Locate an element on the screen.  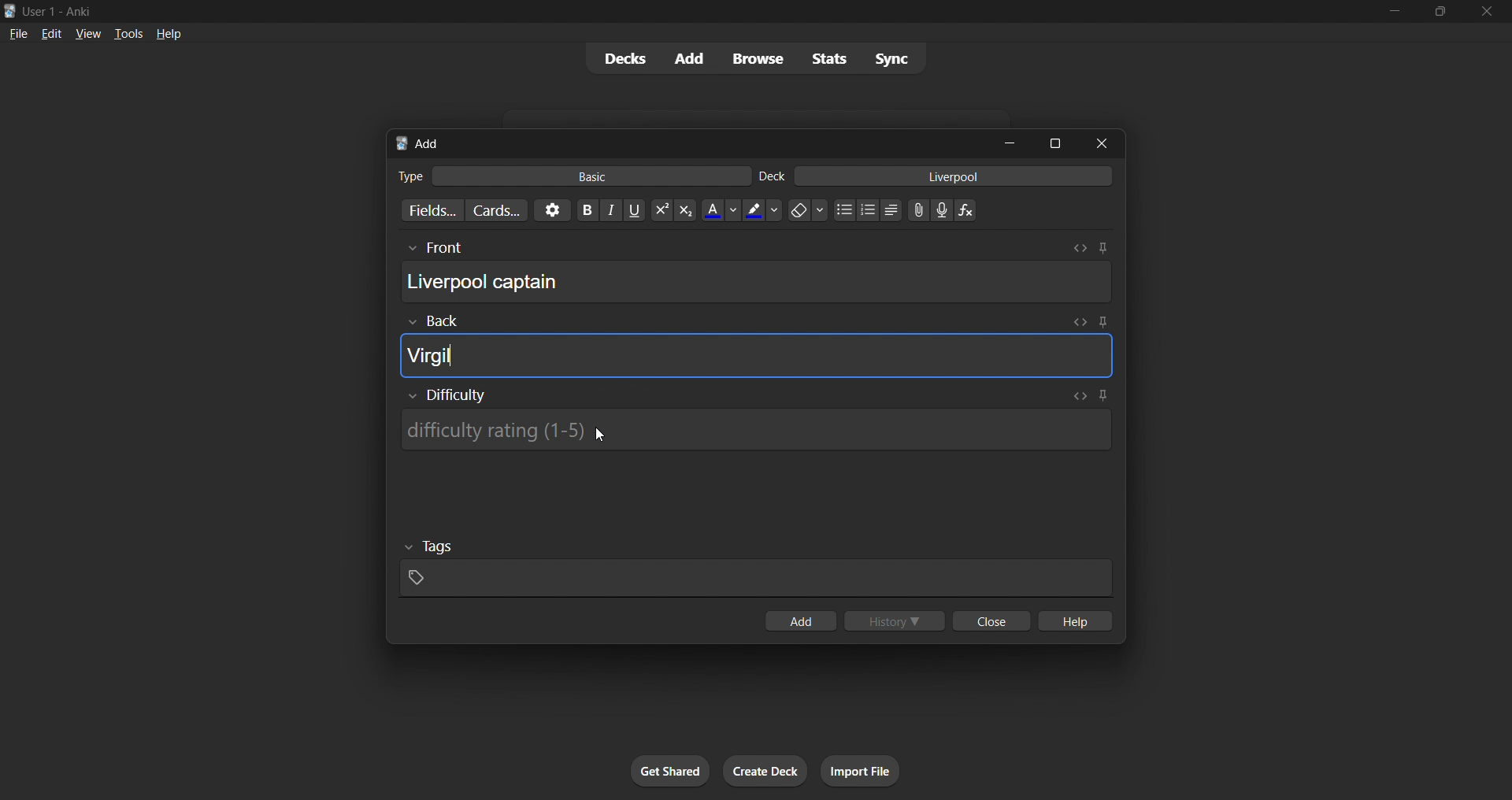
help is located at coordinates (169, 34).